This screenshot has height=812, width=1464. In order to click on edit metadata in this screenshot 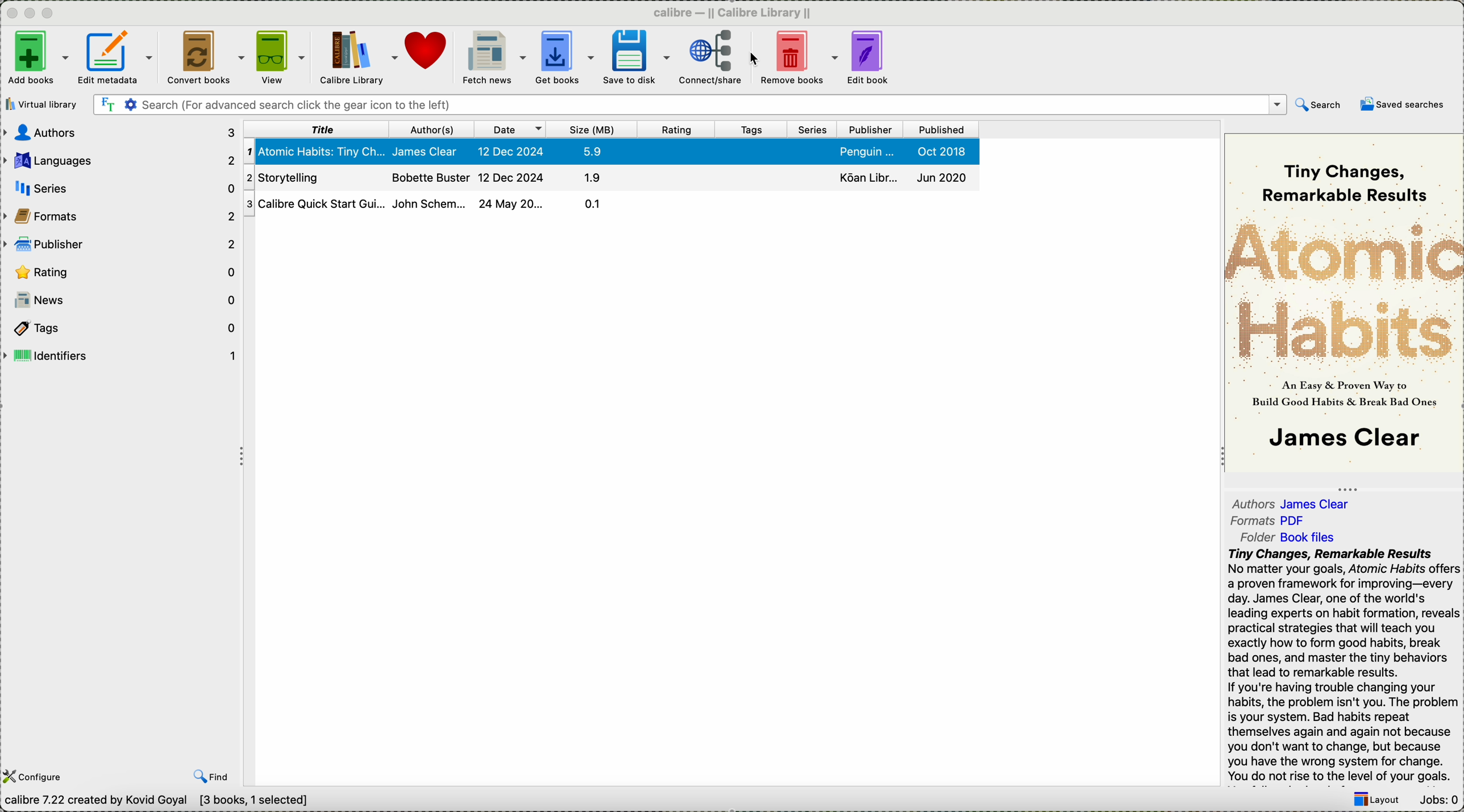, I will do `click(118, 60)`.